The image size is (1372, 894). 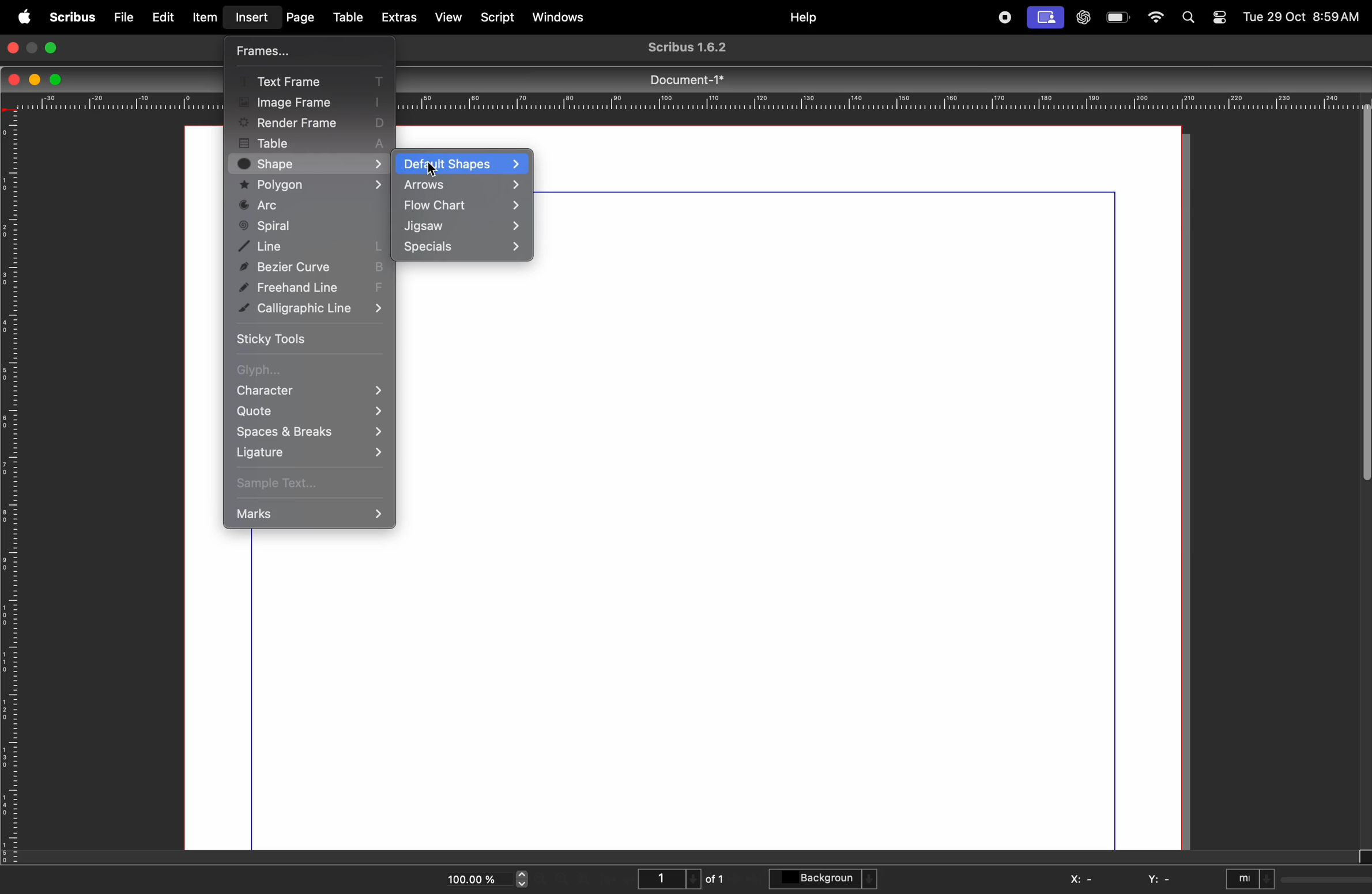 I want to click on of 1, so click(x=717, y=878).